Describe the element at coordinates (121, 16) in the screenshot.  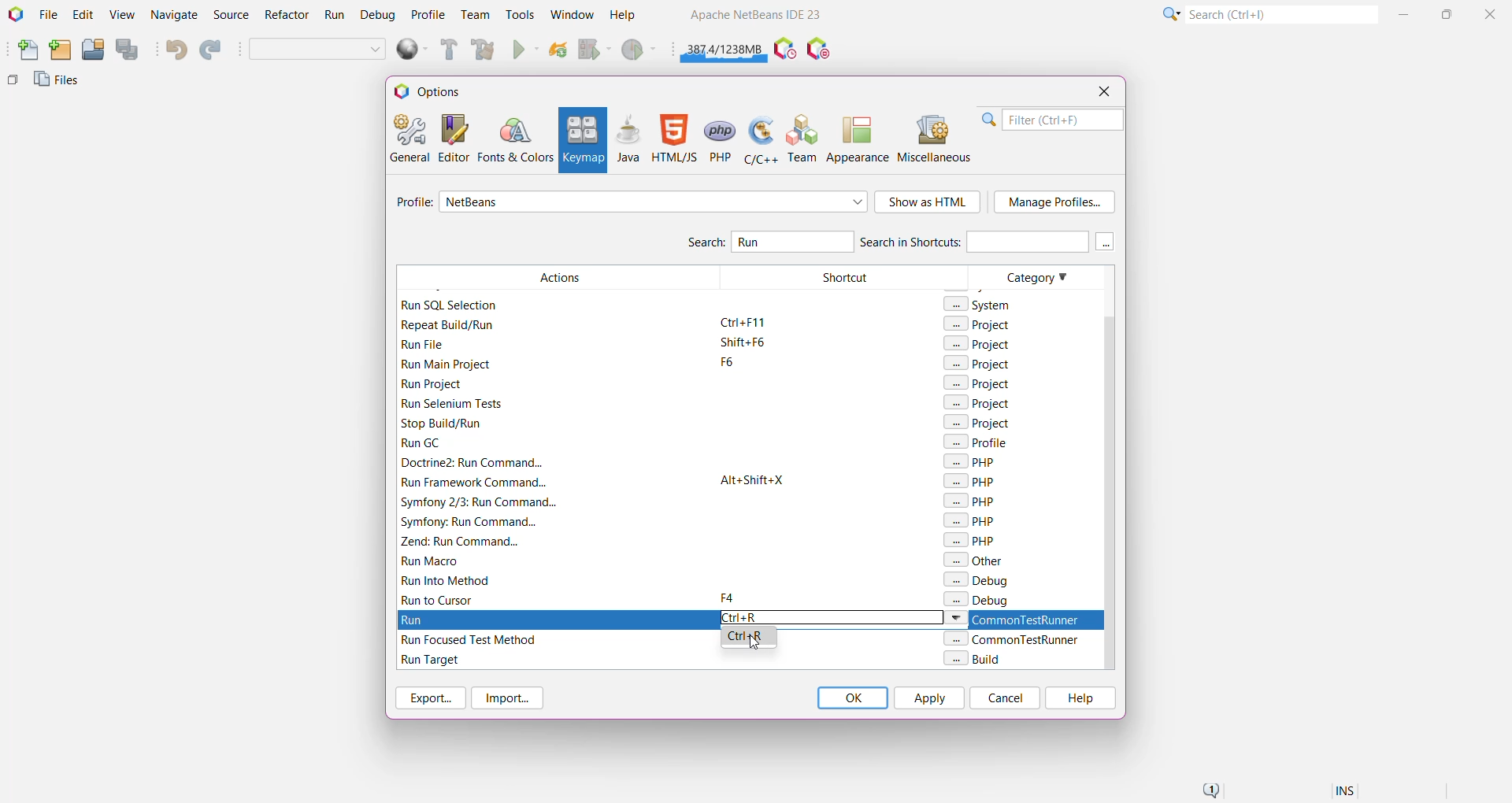
I see `View` at that location.